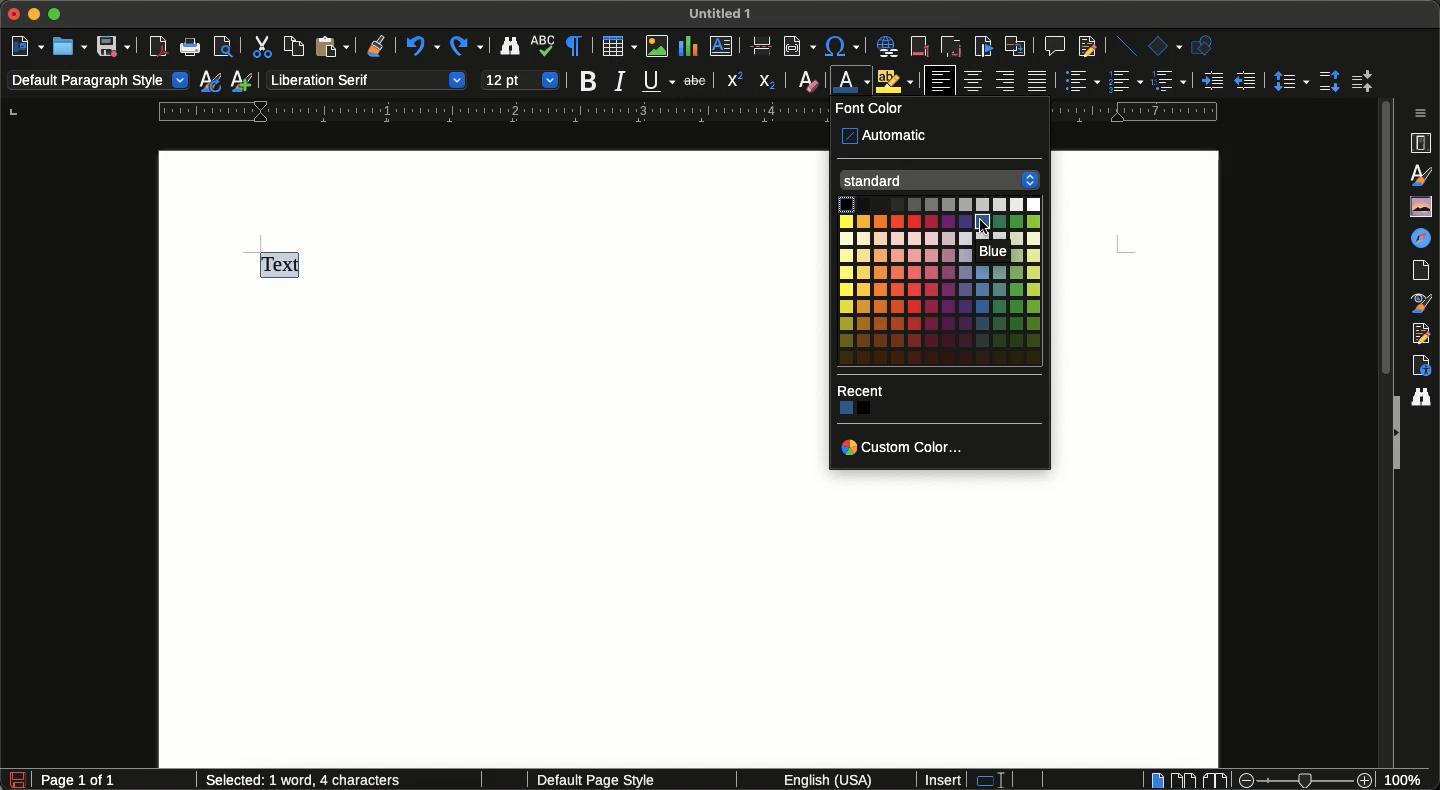  What do you see at coordinates (983, 47) in the screenshot?
I see `Insert bookmark` at bounding box center [983, 47].